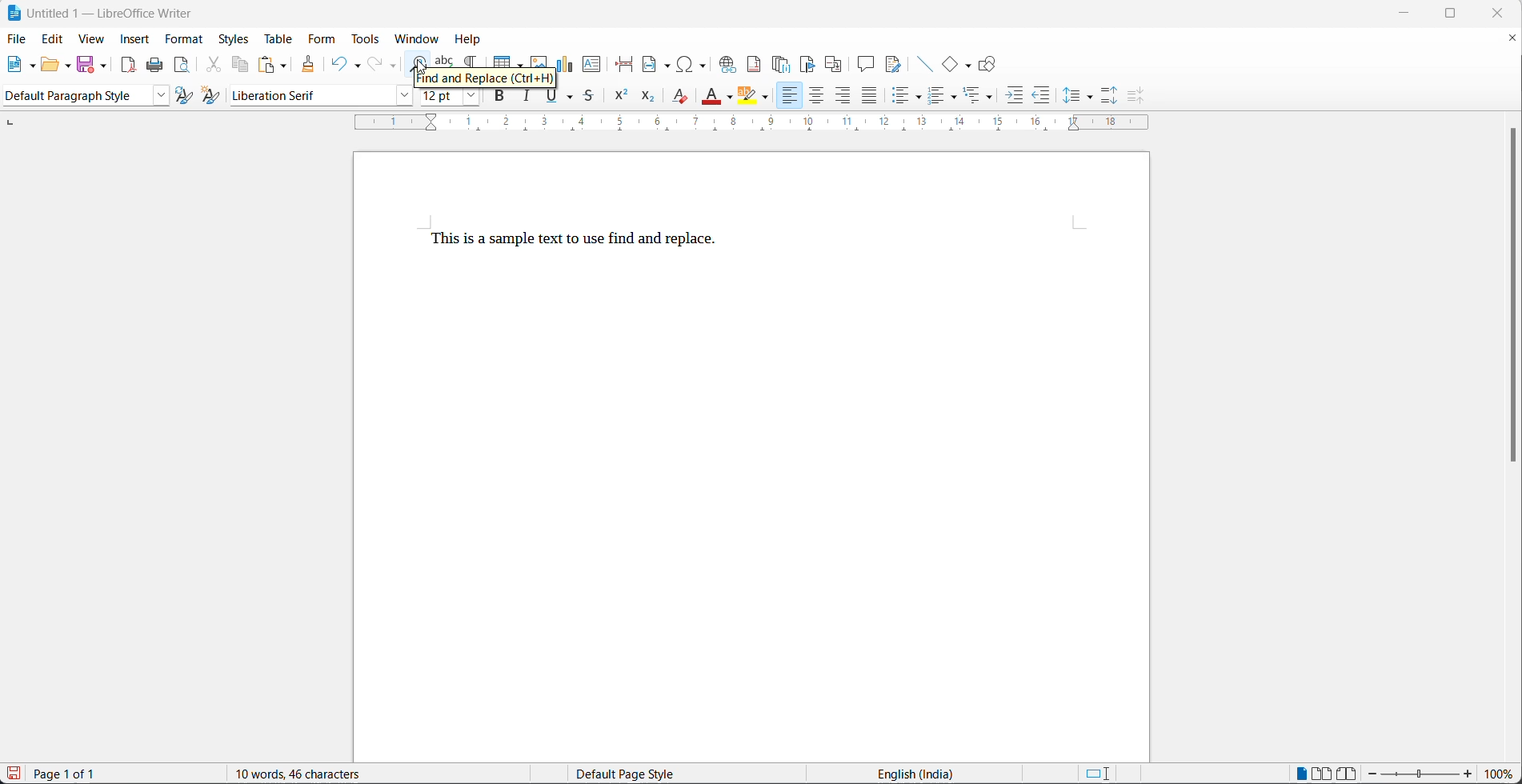 This screenshot has height=784, width=1522. I want to click on subscript, so click(647, 98).